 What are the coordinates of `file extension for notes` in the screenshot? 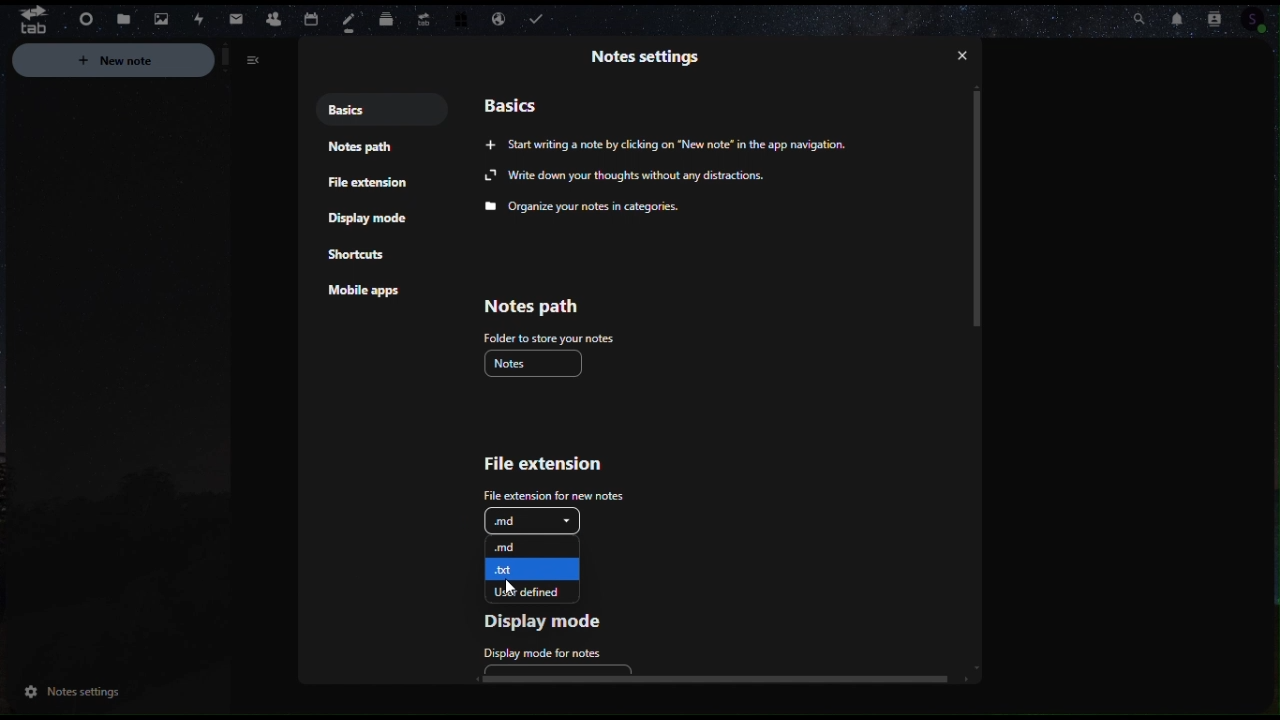 It's located at (547, 493).